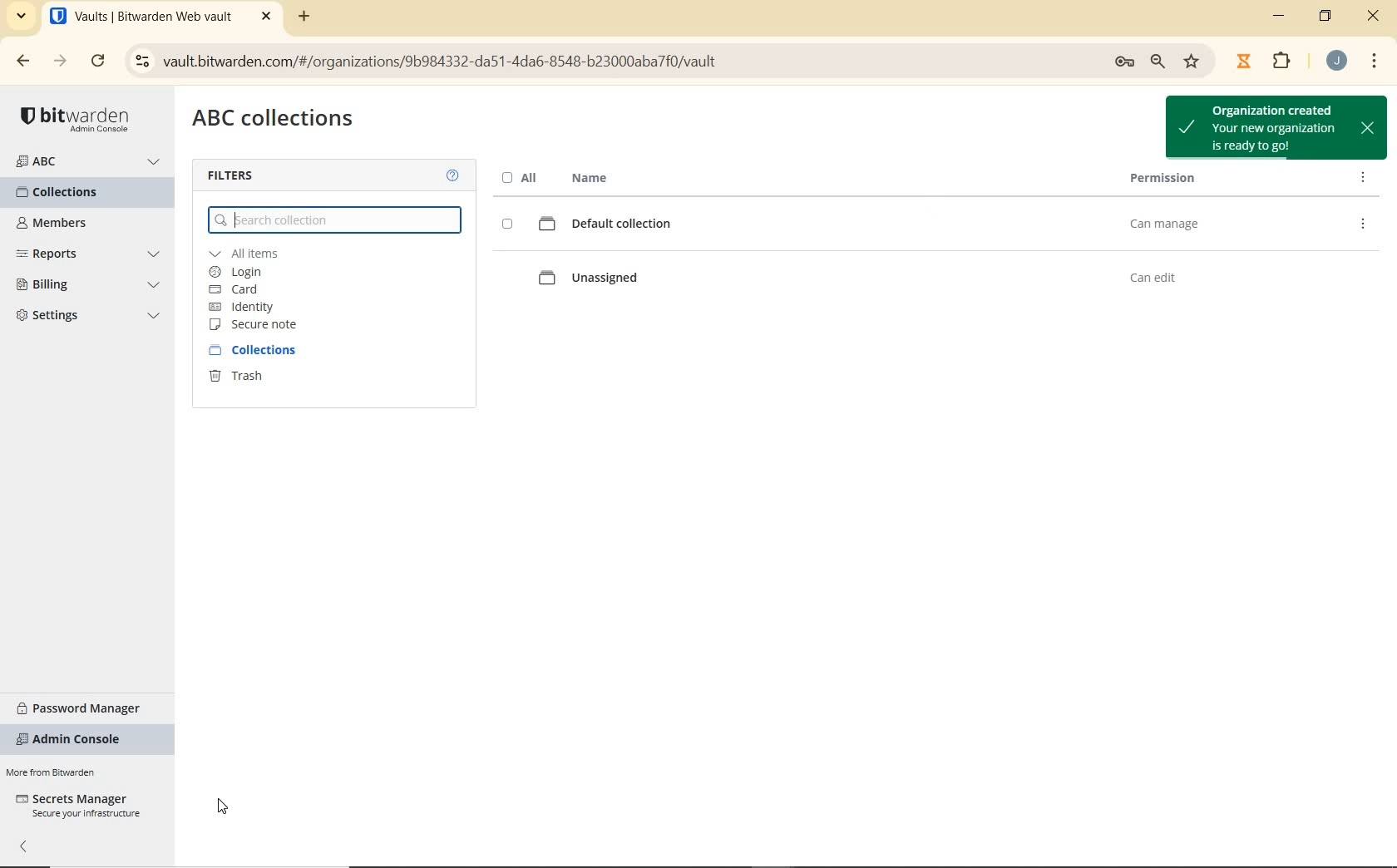 This screenshot has width=1397, height=868. What do you see at coordinates (155, 314) in the screenshot?
I see `dropdown` at bounding box center [155, 314].